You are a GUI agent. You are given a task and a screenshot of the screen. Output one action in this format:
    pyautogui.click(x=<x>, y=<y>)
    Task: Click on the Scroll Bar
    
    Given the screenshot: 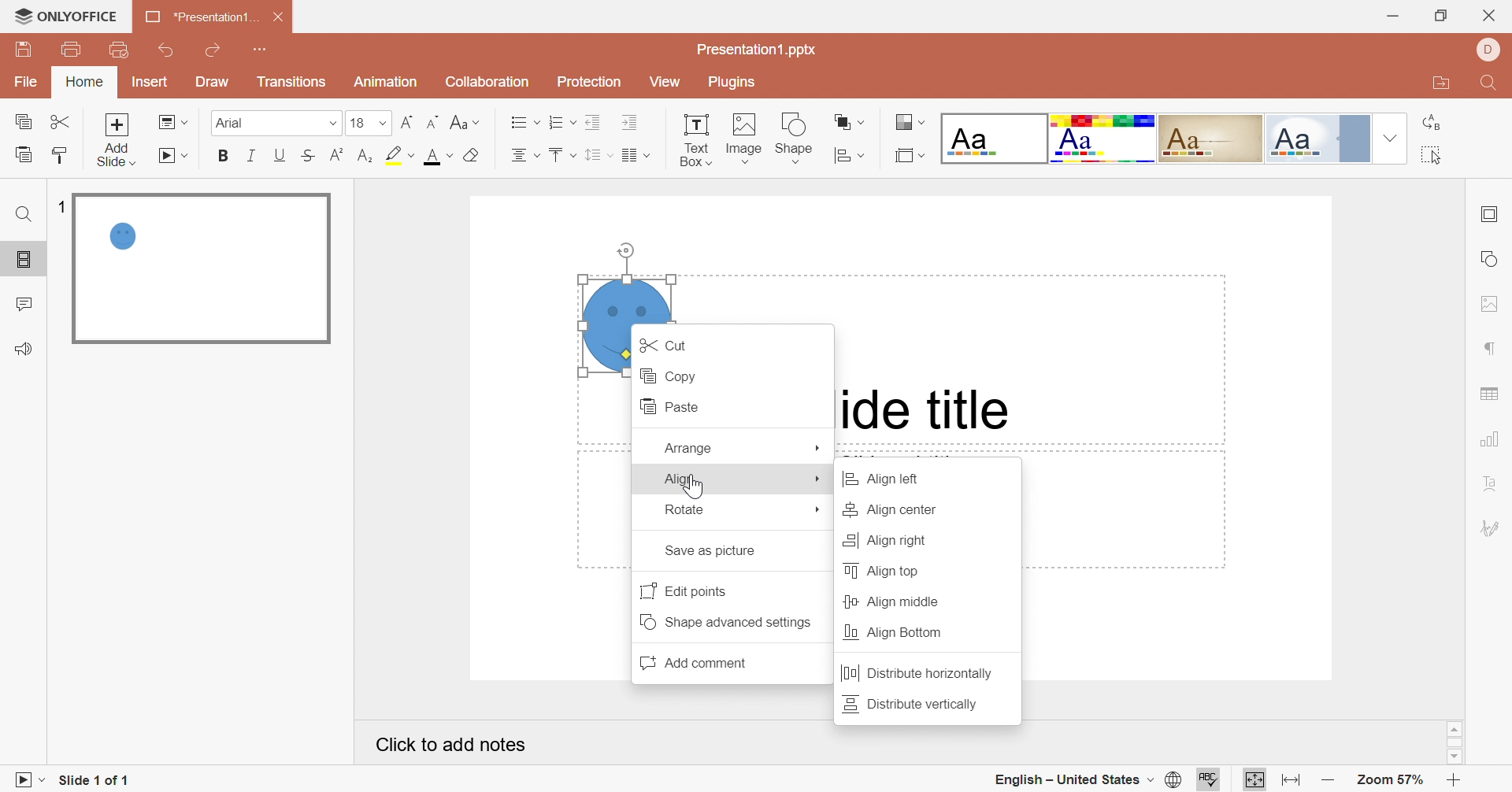 What is the action you would take?
    pyautogui.click(x=1454, y=742)
    